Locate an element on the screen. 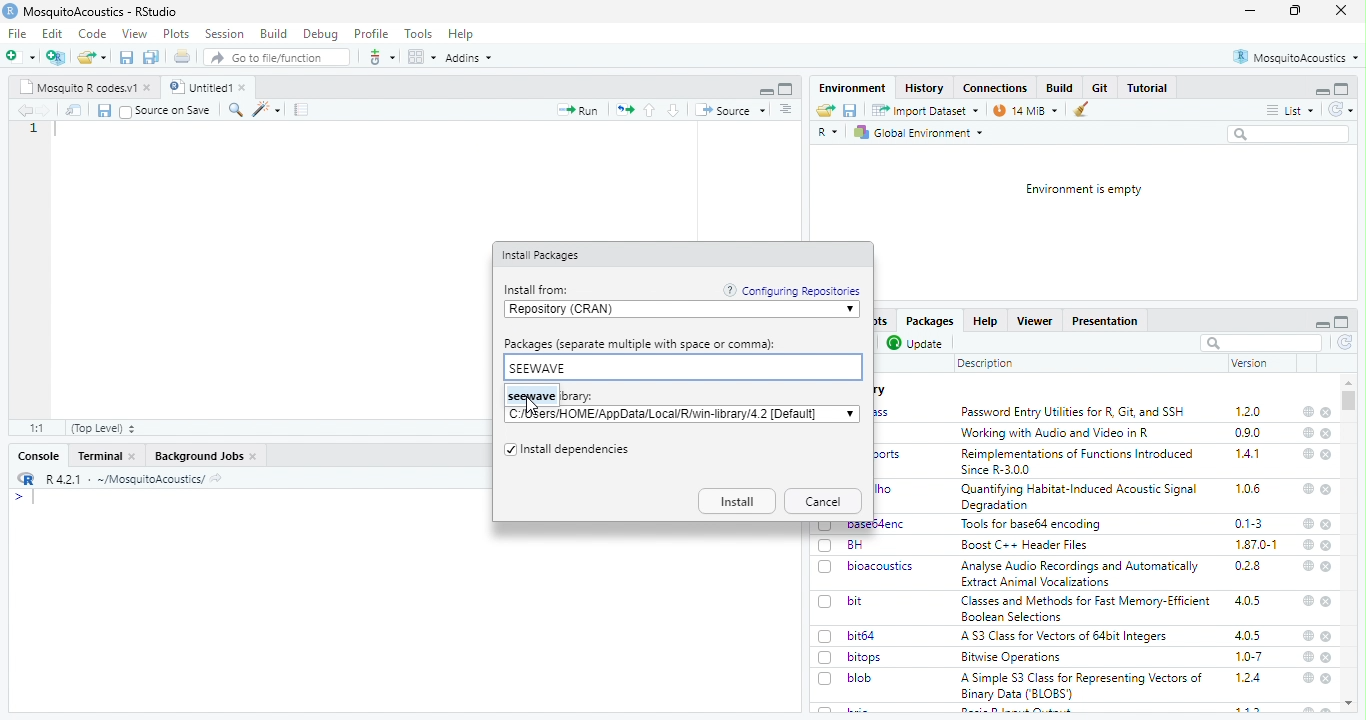 The width and height of the screenshot is (1366, 720). sync is located at coordinates (1346, 343).